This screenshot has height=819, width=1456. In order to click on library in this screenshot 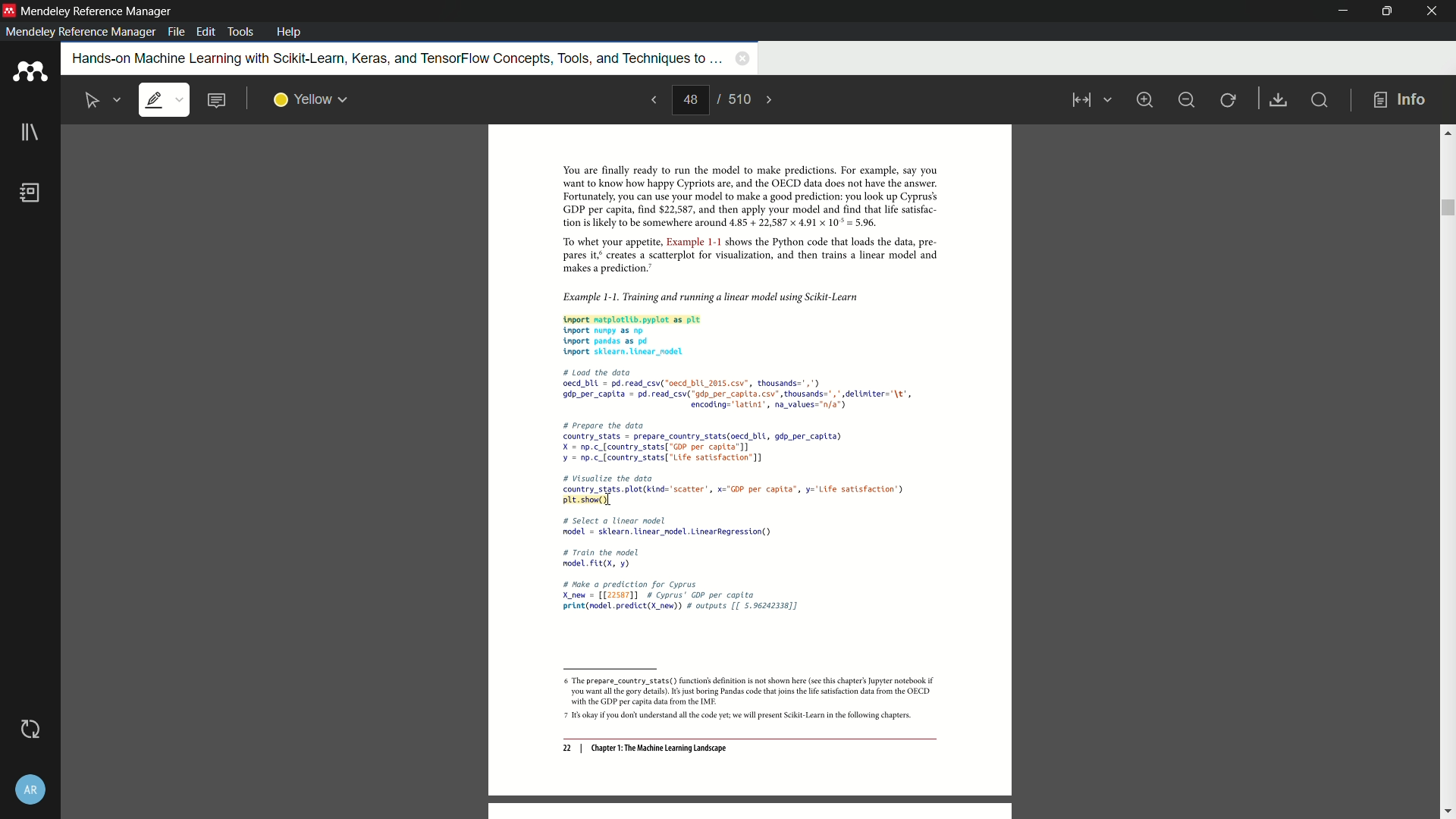, I will do `click(30, 133)`.